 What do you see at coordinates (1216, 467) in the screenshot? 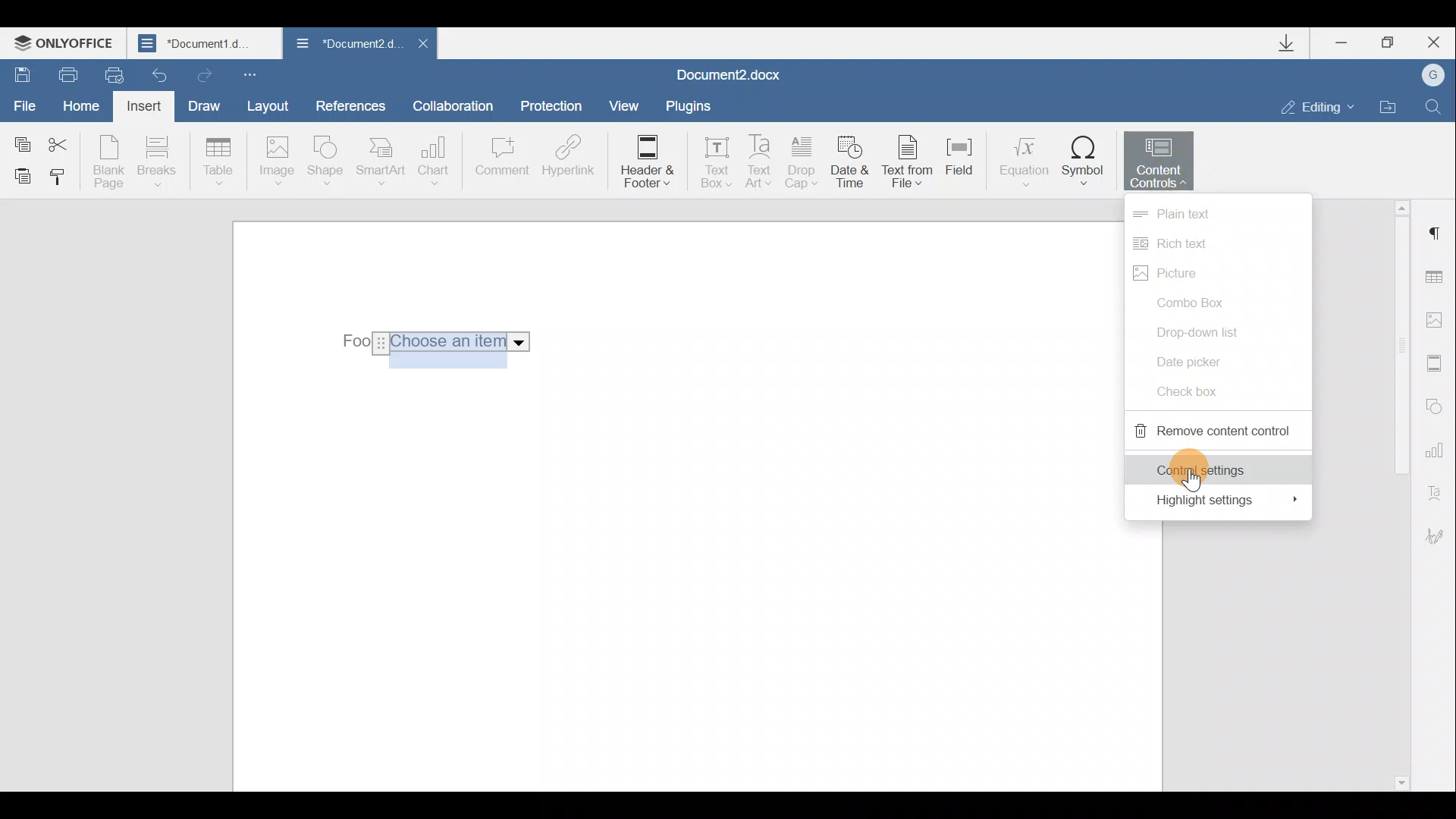
I see `Control settings` at bounding box center [1216, 467].